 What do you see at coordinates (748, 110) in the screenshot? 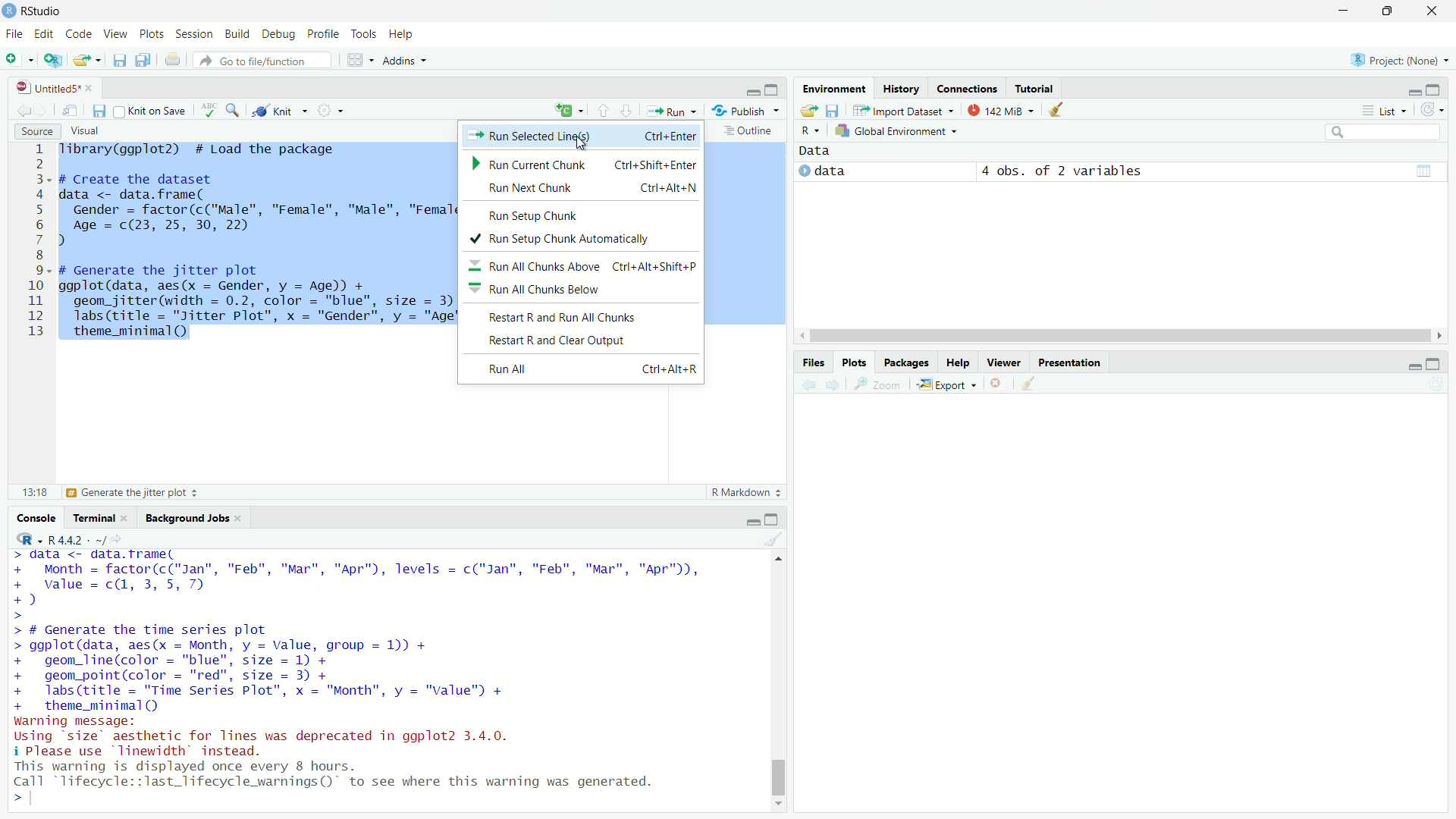
I see `publish` at bounding box center [748, 110].